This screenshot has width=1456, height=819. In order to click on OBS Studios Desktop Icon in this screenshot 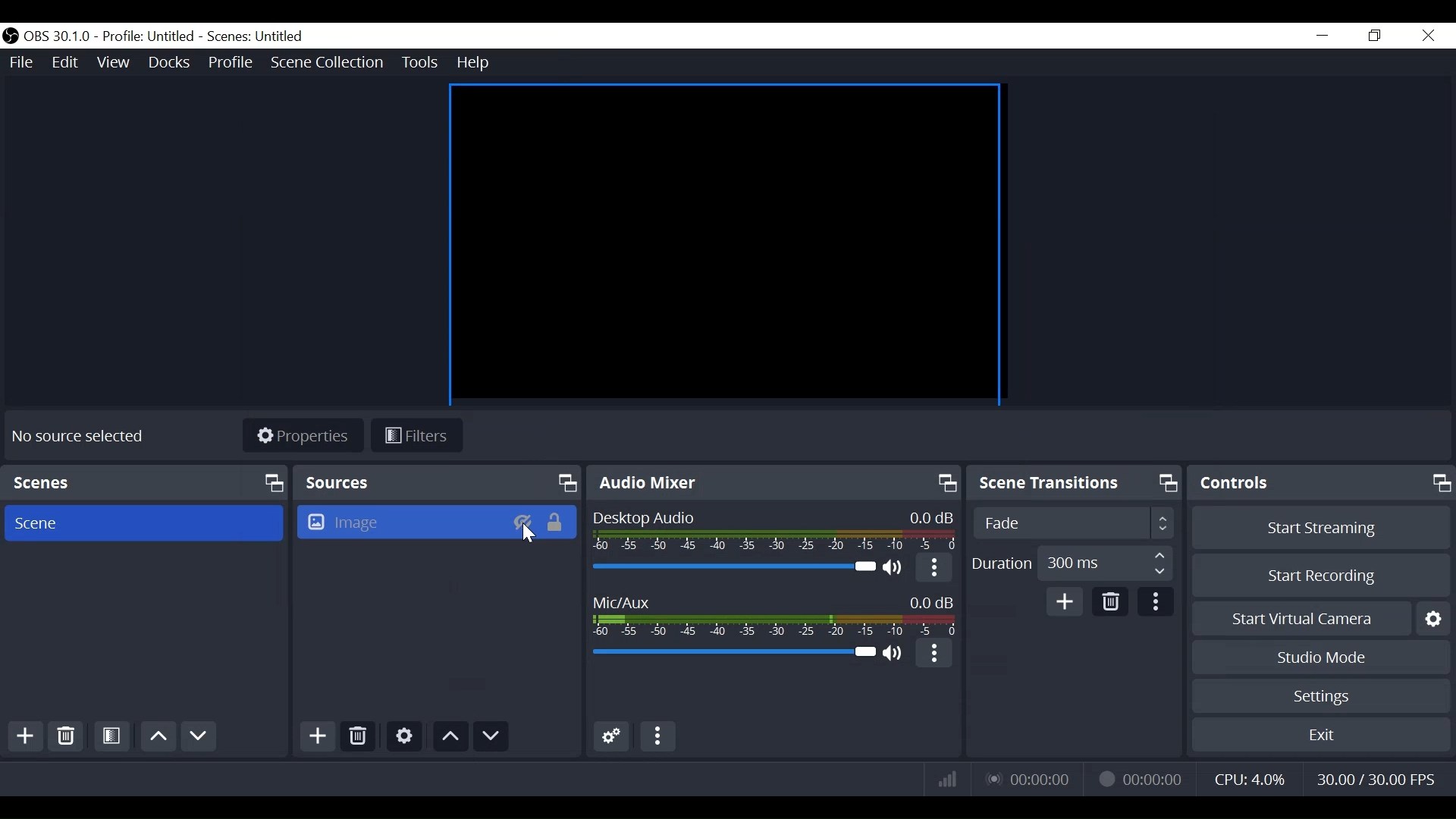, I will do `click(10, 36)`.